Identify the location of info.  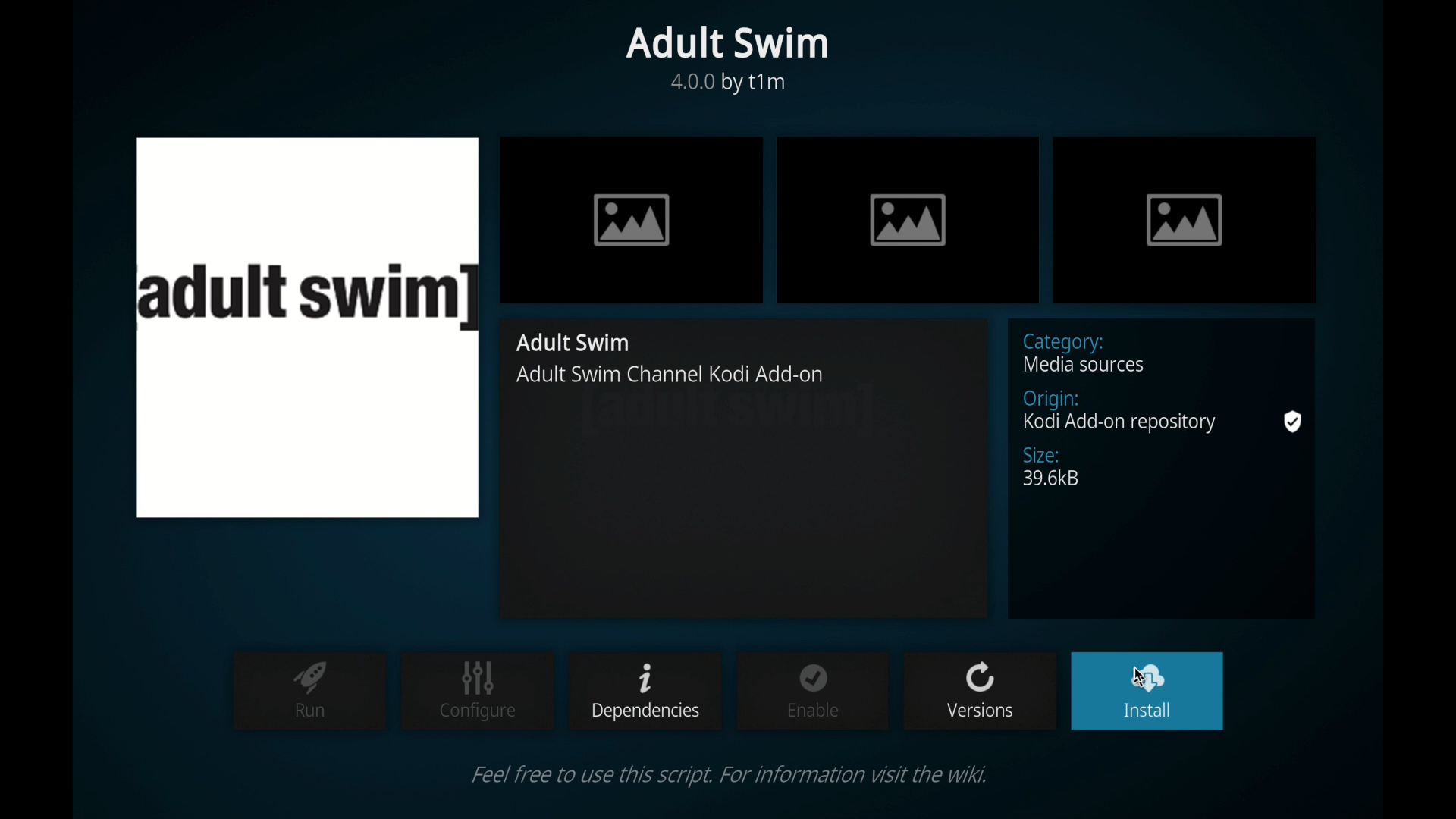
(675, 376).